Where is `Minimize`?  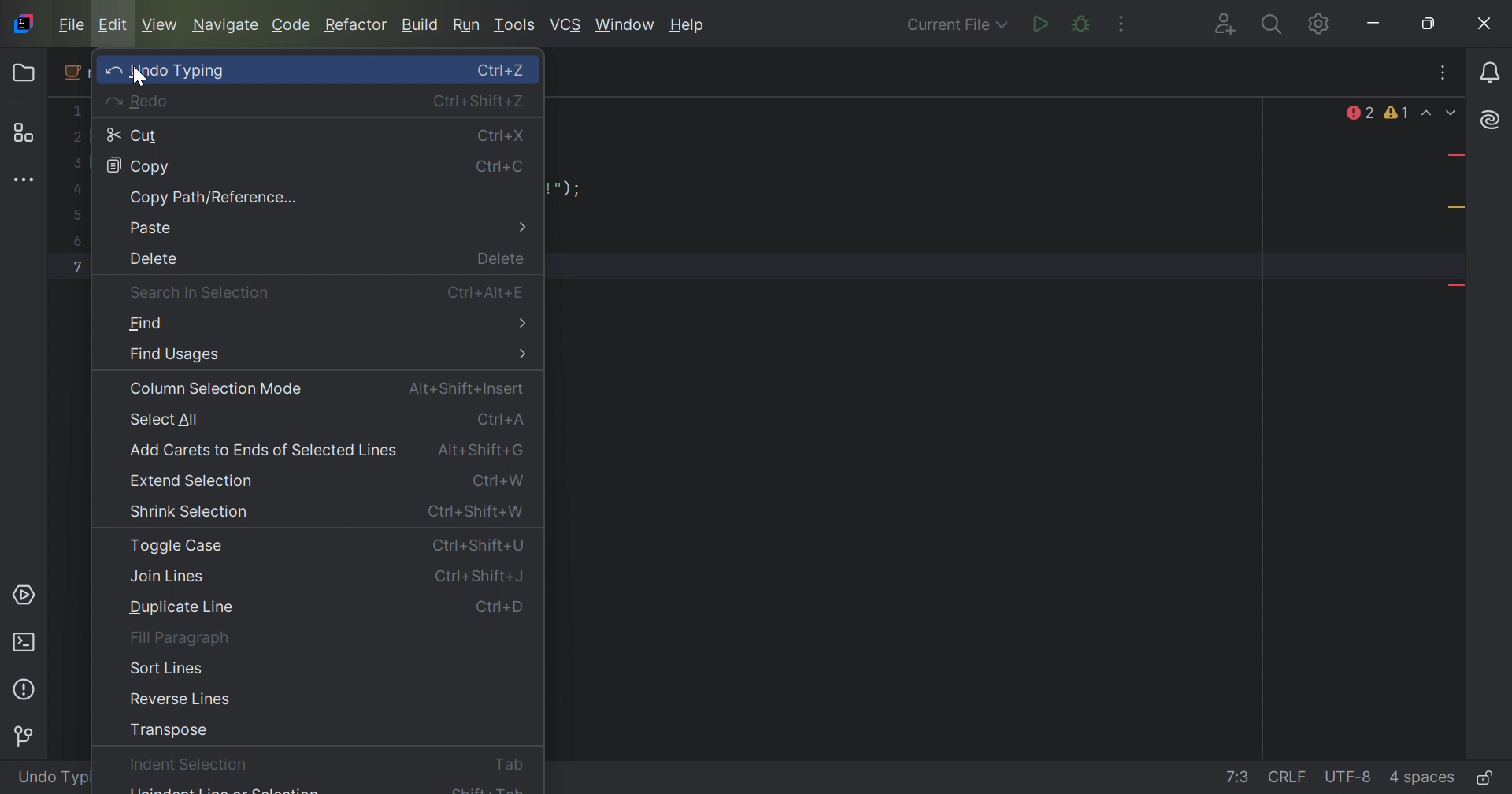 Minimize is located at coordinates (1377, 24).